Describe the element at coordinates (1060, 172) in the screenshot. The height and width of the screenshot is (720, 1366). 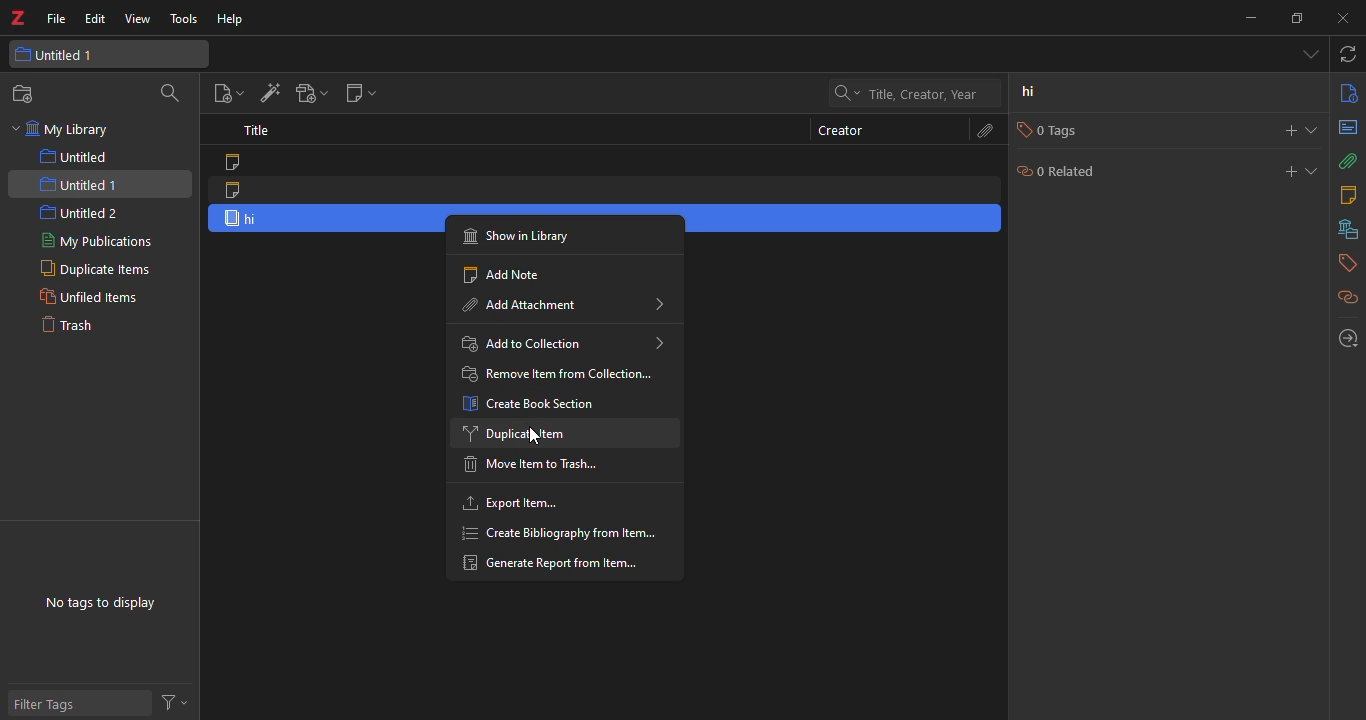
I see `0 related` at that location.